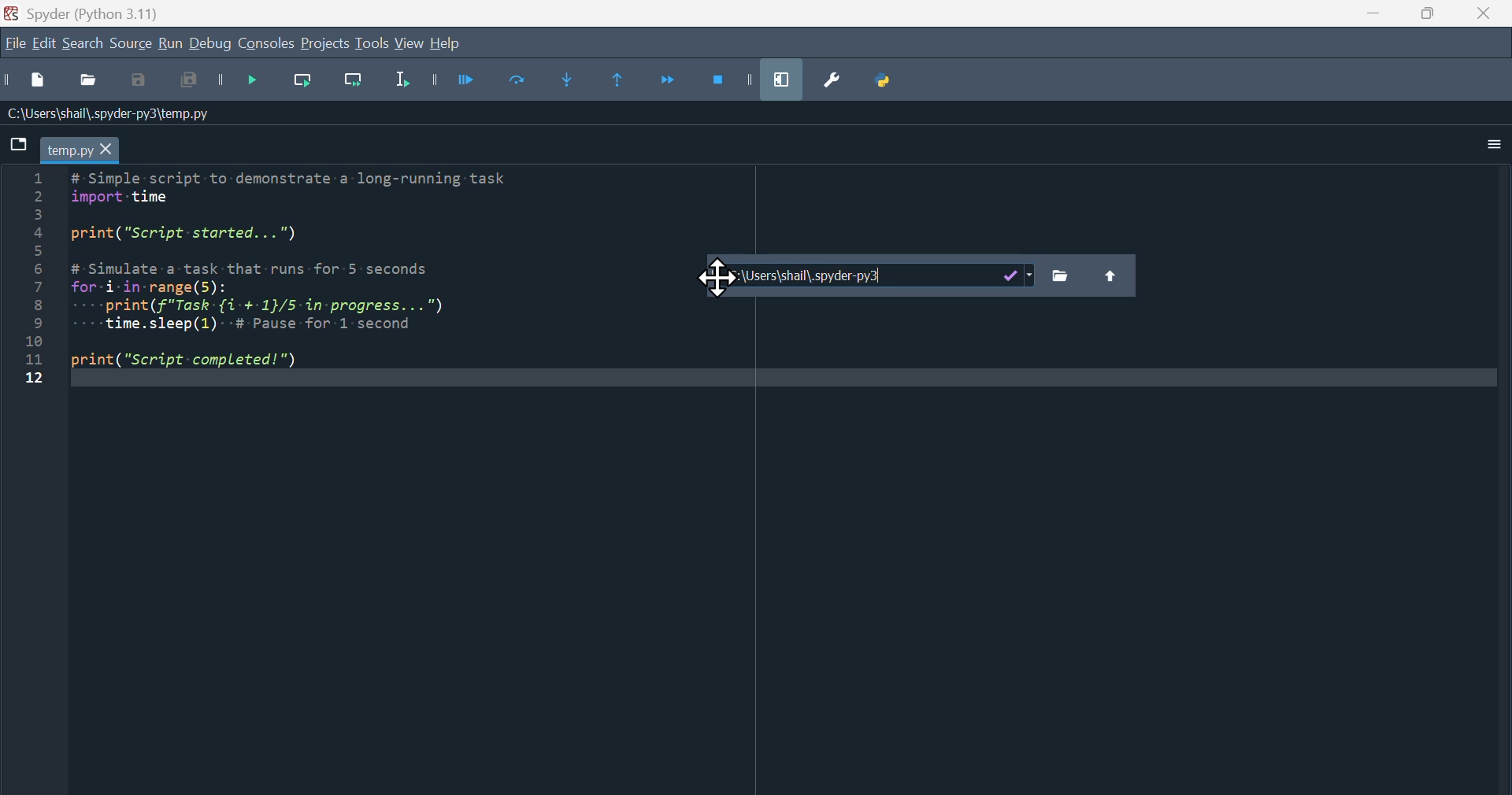 Image resolution: width=1512 pixels, height=795 pixels. I want to click on Upload file, so click(1111, 273).